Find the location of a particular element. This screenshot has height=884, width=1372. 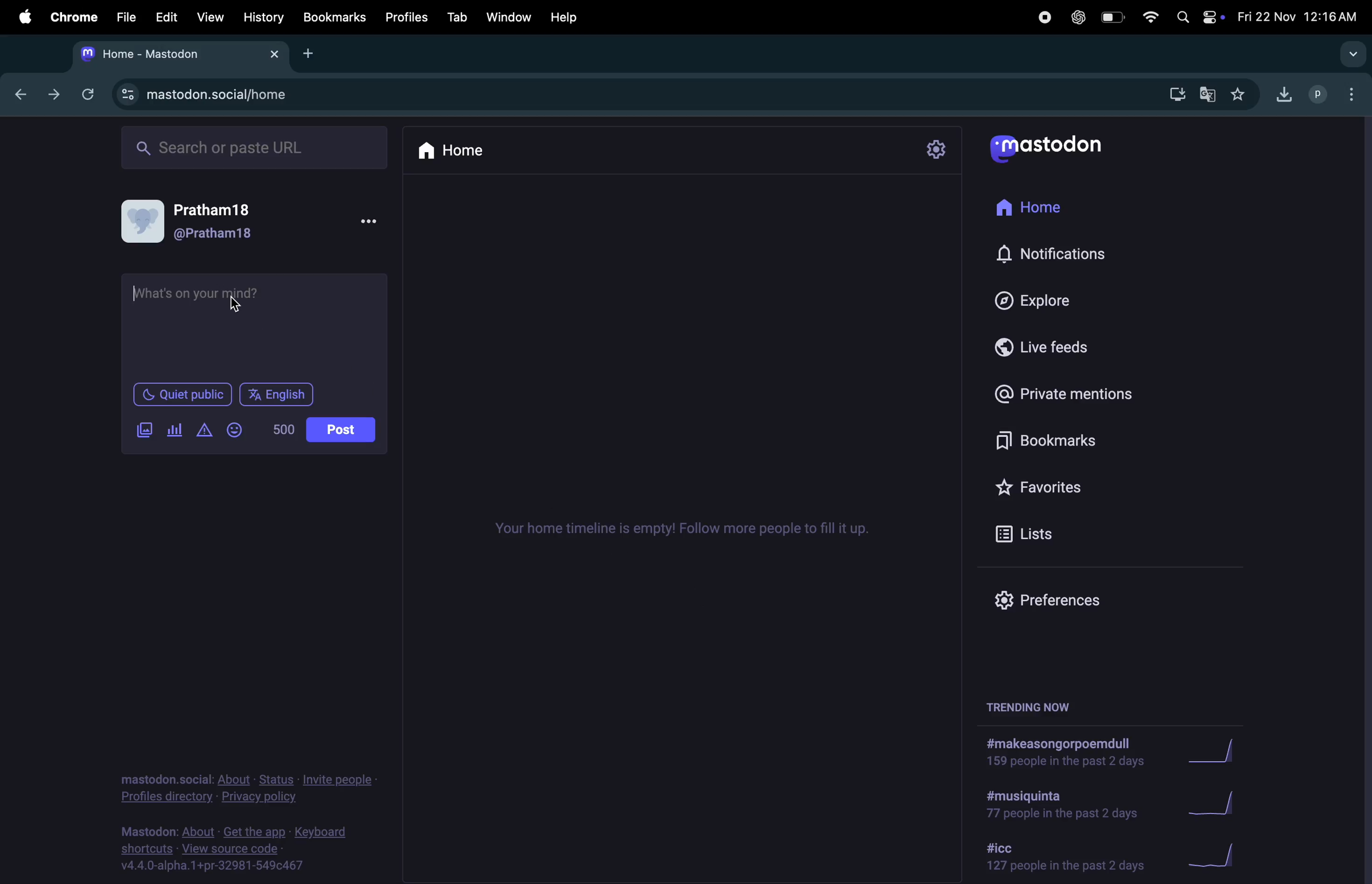

privacy policy is located at coordinates (240, 790).